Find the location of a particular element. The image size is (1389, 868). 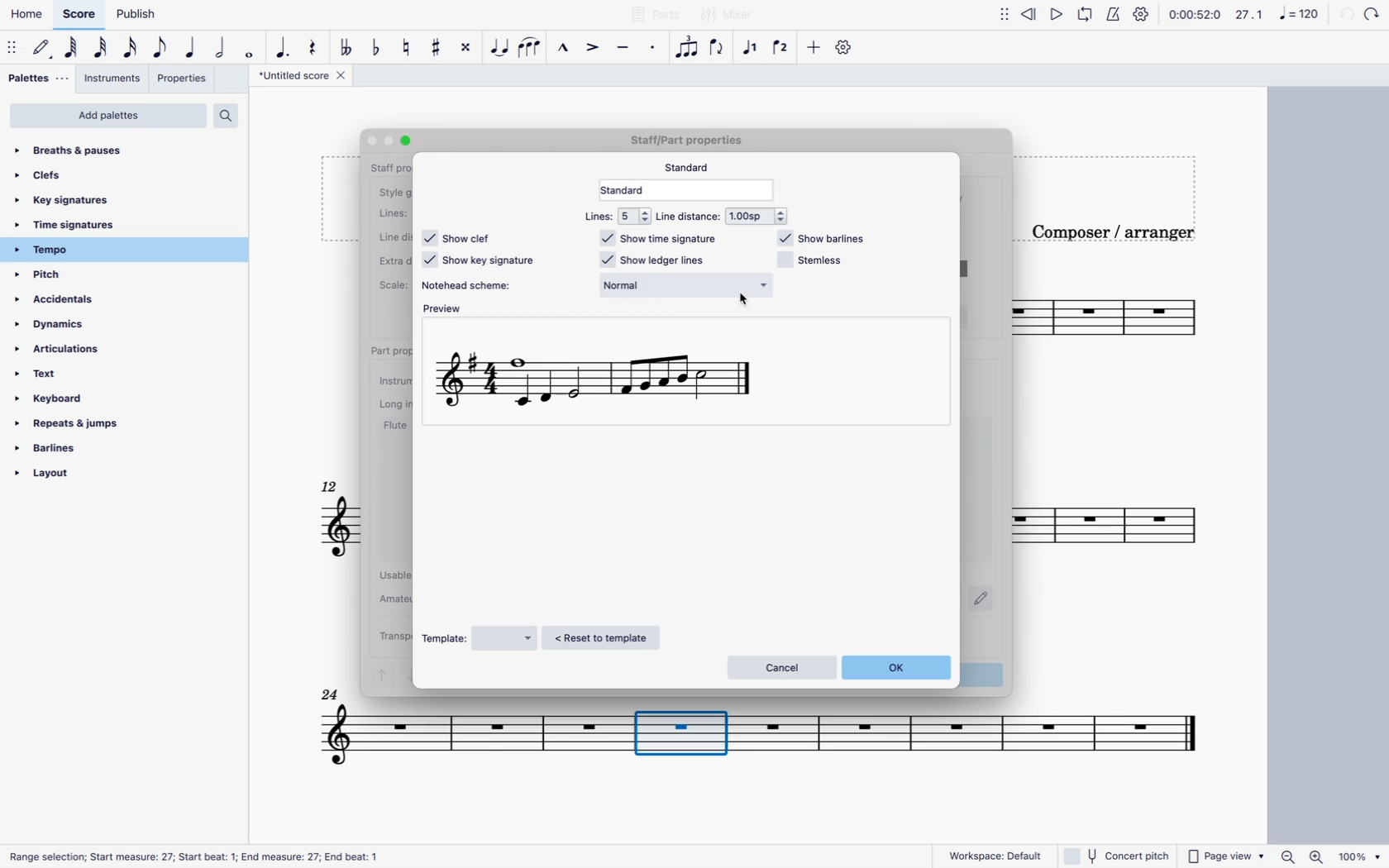

breaths & pauses is located at coordinates (73, 151).